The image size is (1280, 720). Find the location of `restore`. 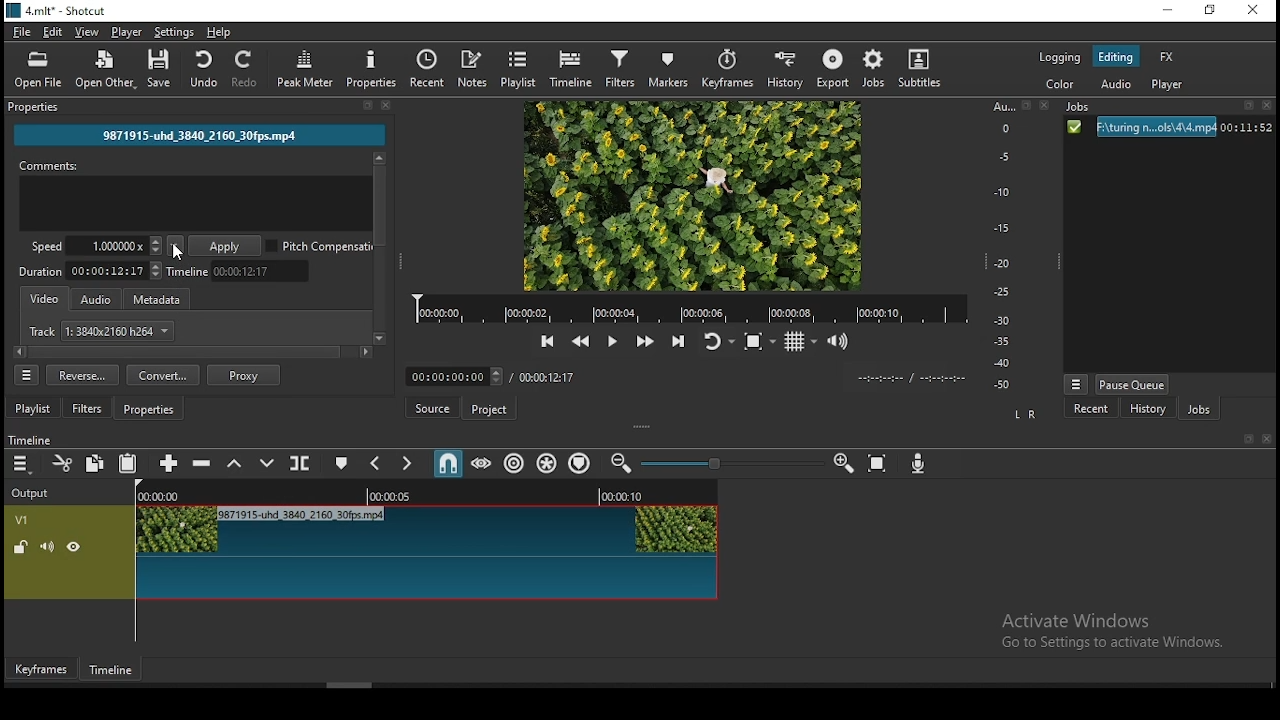

restore is located at coordinates (1213, 12).